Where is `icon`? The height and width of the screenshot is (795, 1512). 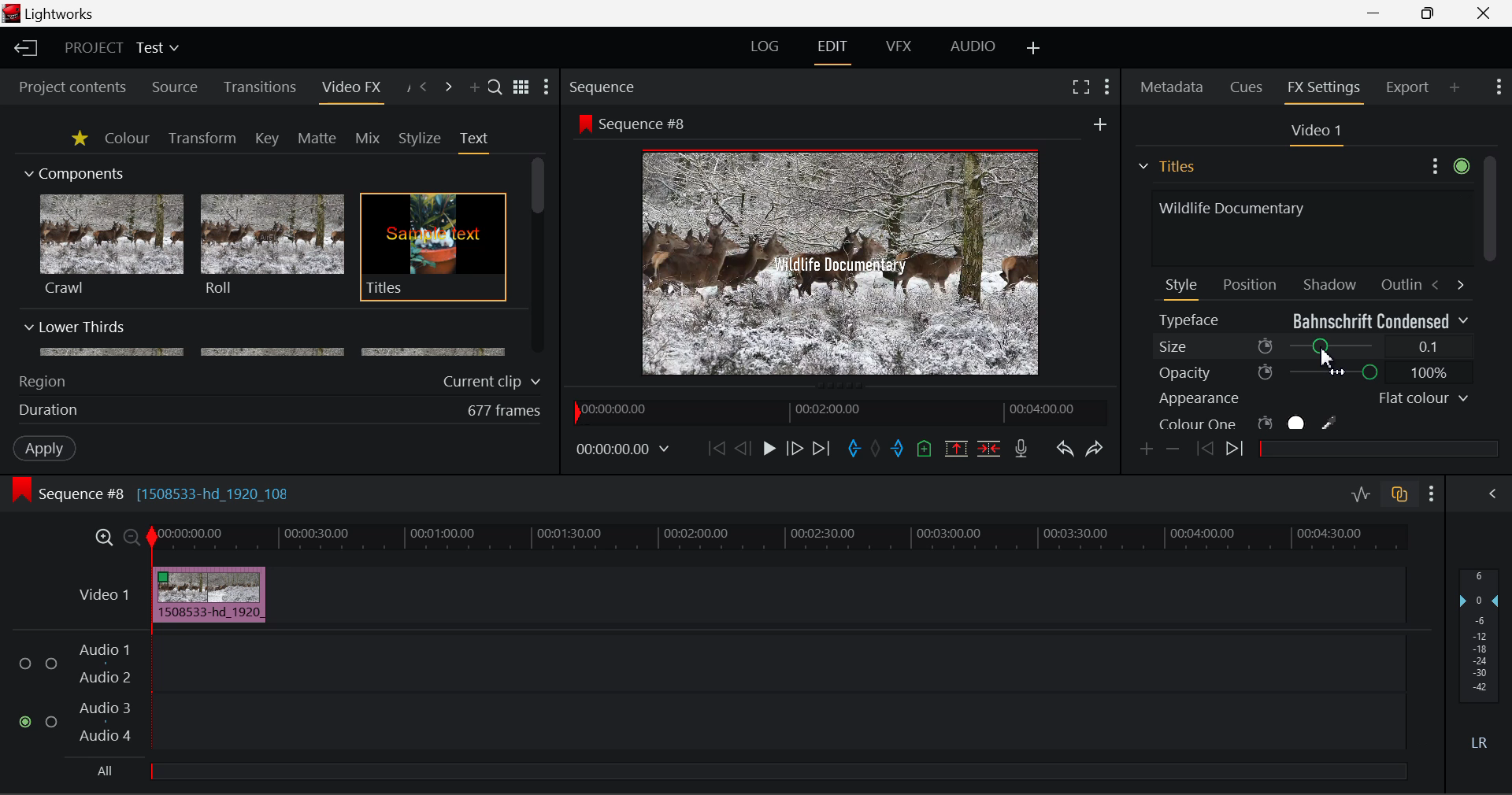 icon is located at coordinates (584, 123).